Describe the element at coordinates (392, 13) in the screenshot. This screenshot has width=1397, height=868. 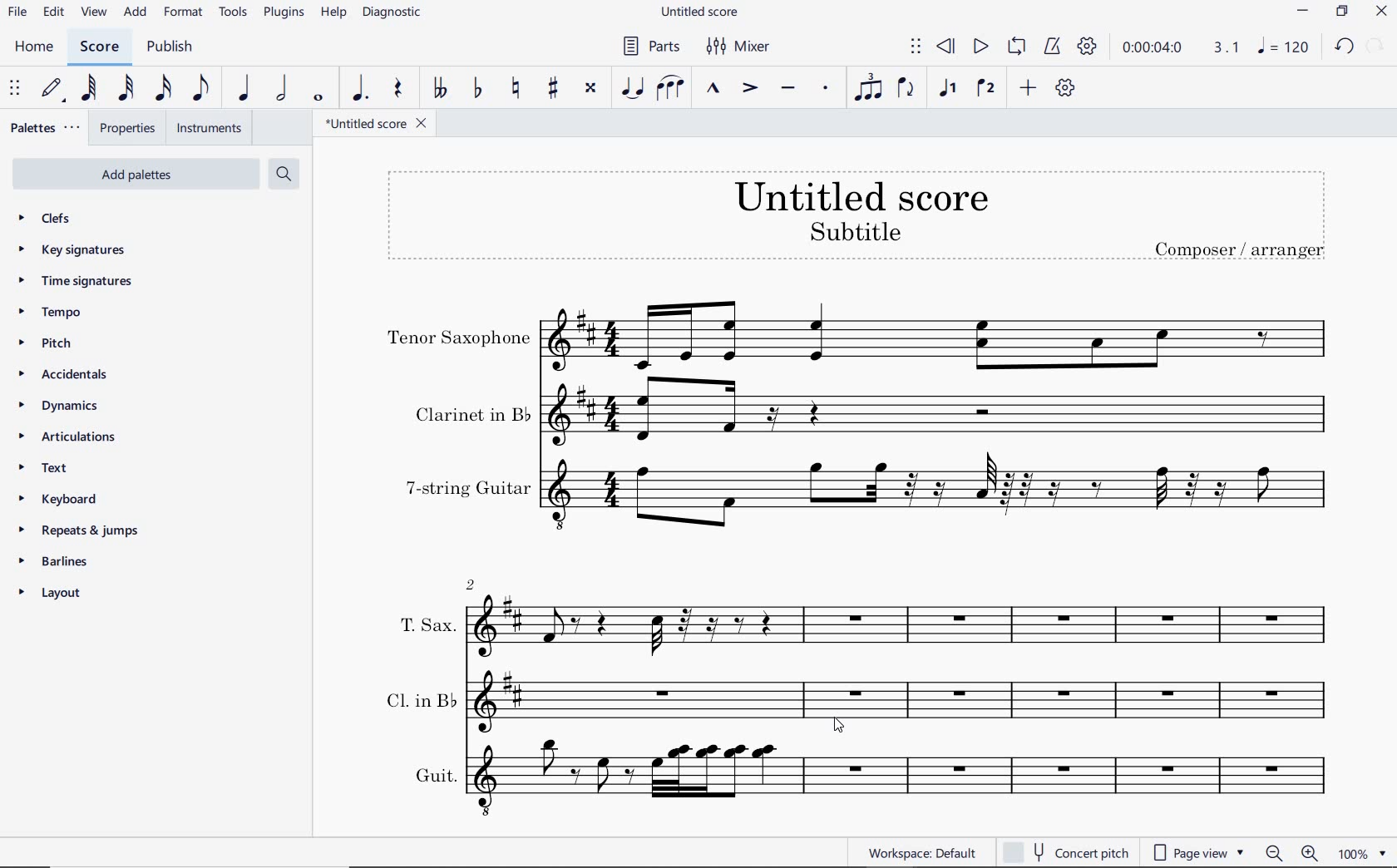
I see `DIAGNOSTIC` at that location.